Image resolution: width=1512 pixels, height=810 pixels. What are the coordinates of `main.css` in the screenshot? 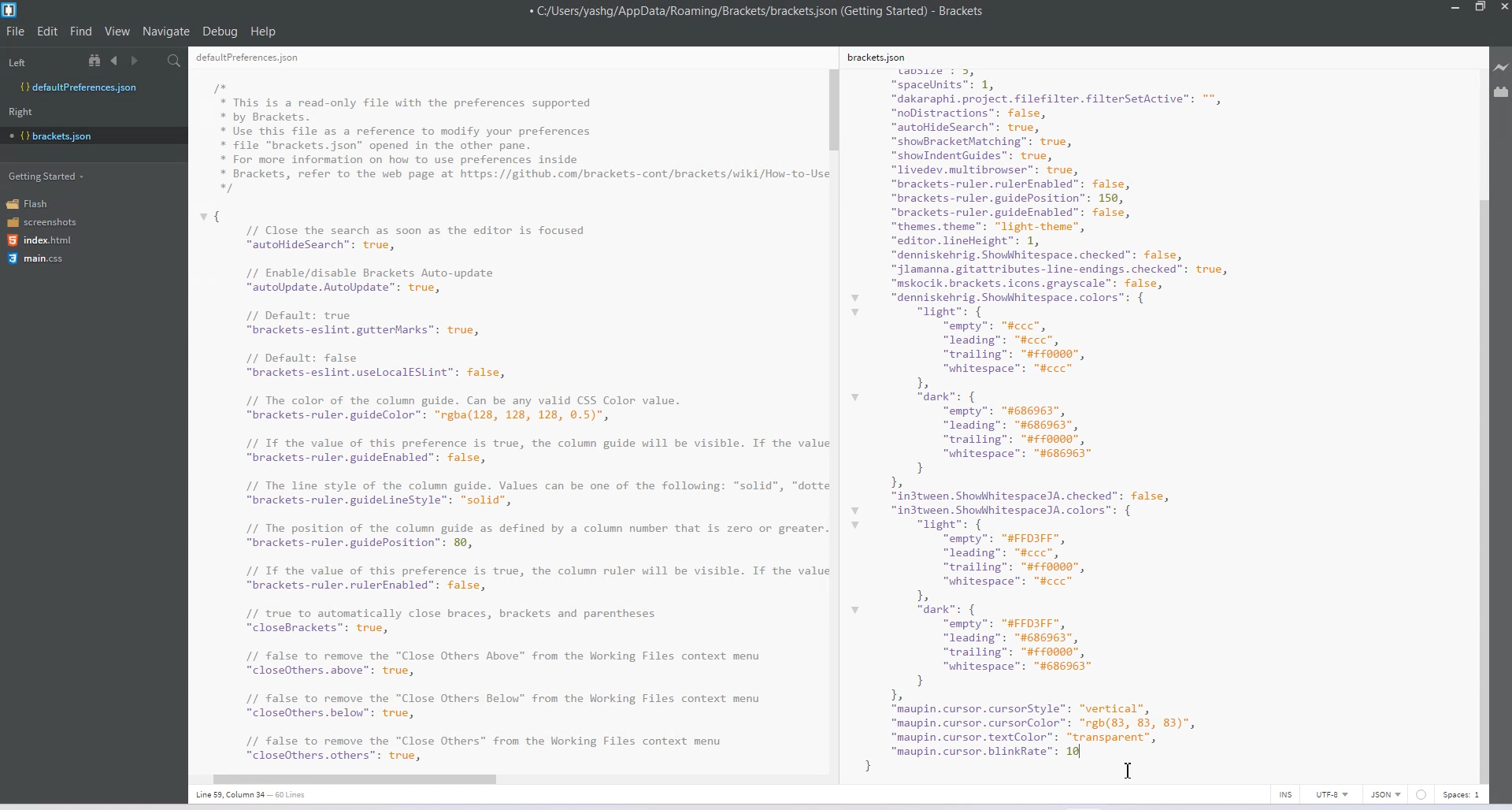 It's located at (35, 258).